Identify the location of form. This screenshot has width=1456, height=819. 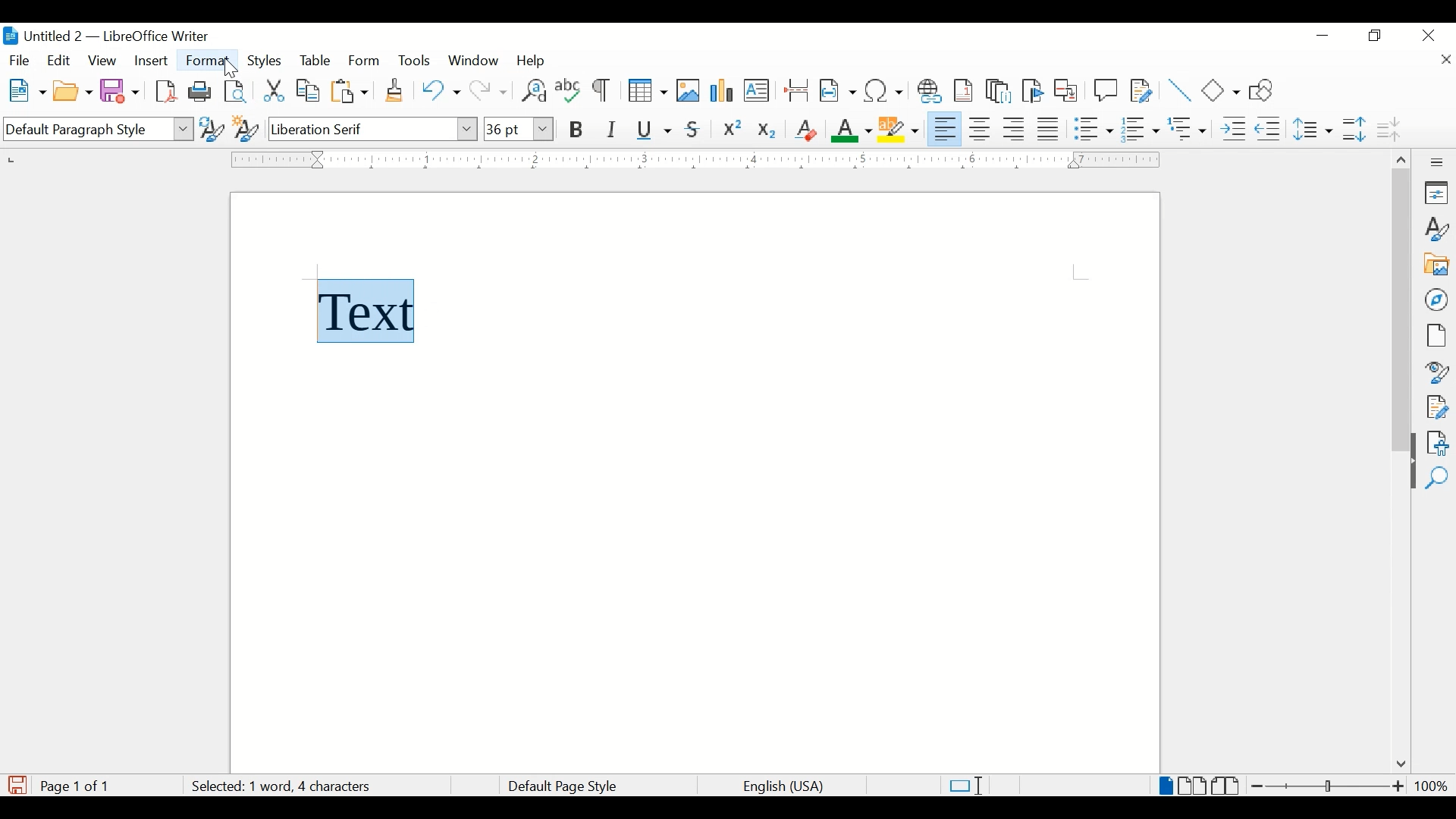
(366, 61).